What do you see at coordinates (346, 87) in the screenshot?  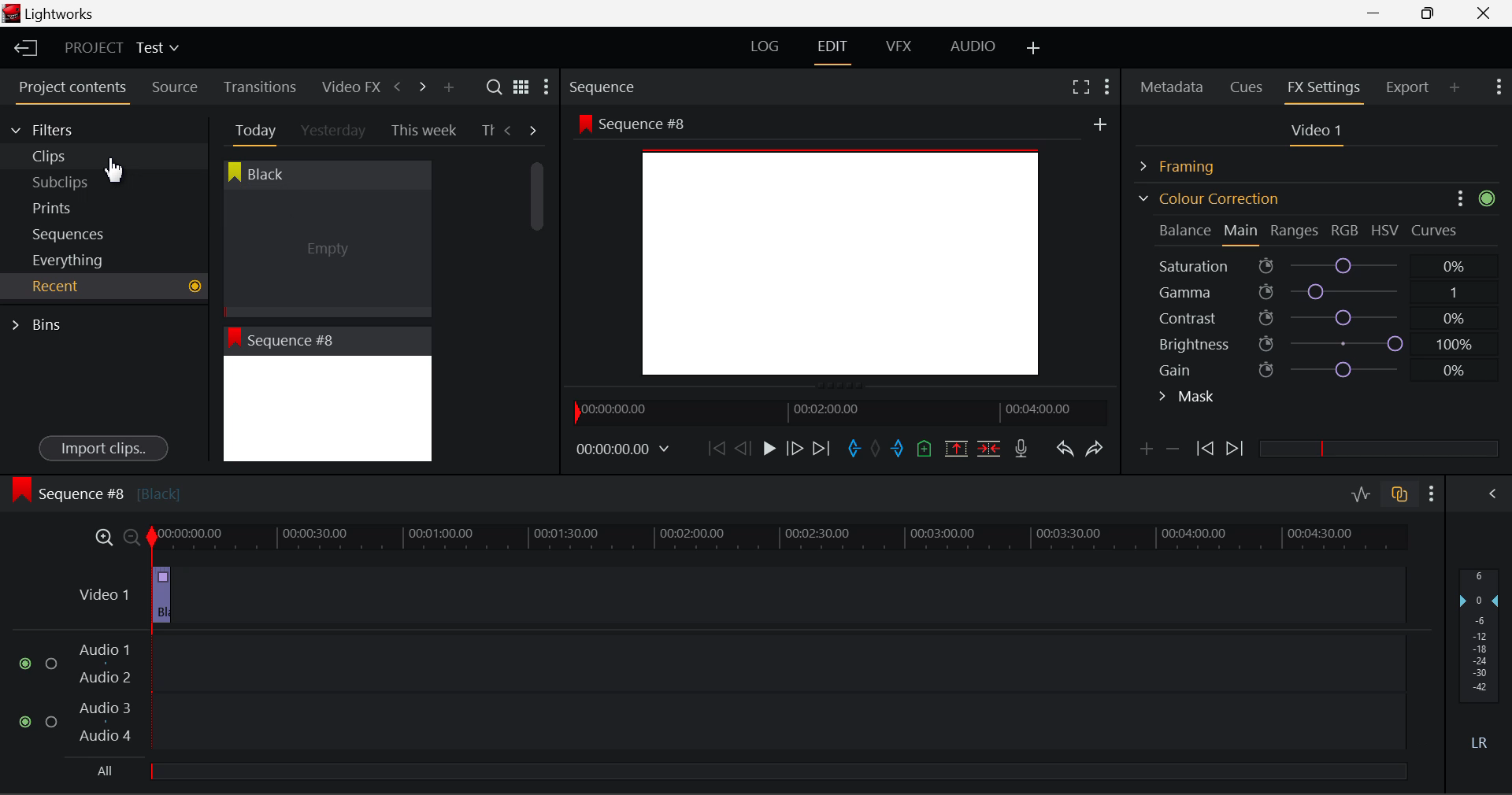 I see `Video FX` at bounding box center [346, 87].